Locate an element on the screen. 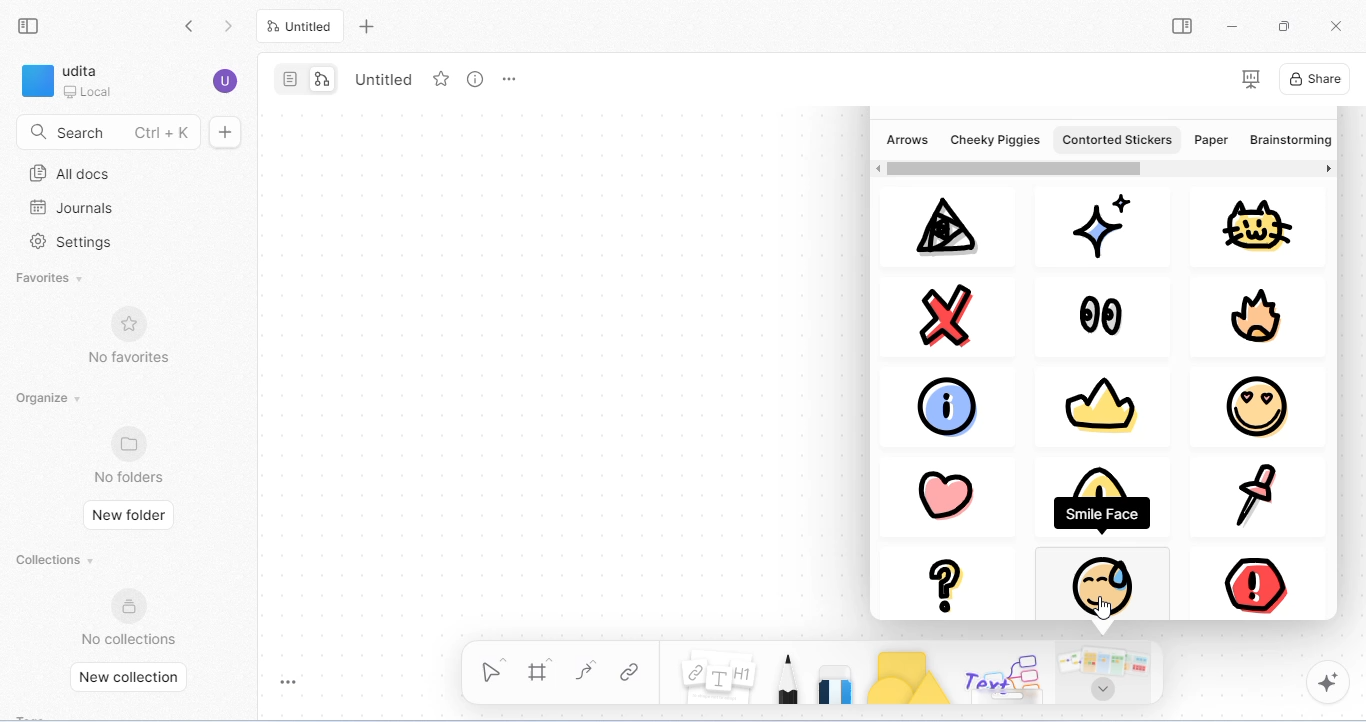 The width and height of the screenshot is (1366, 722). link is located at coordinates (634, 671).